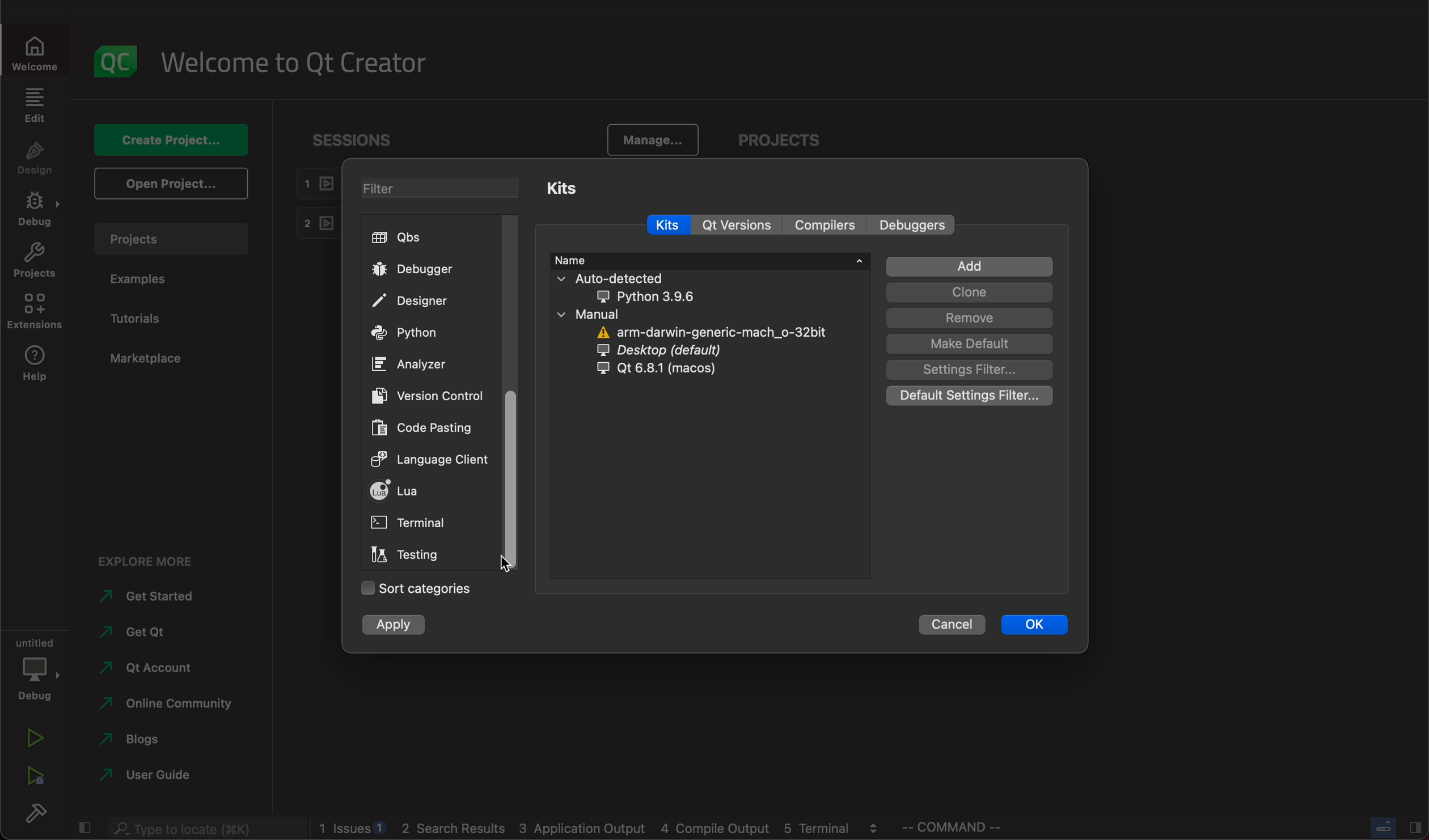 Image resolution: width=1429 pixels, height=840 pixels. I want to click on commands, so click(959, 829).